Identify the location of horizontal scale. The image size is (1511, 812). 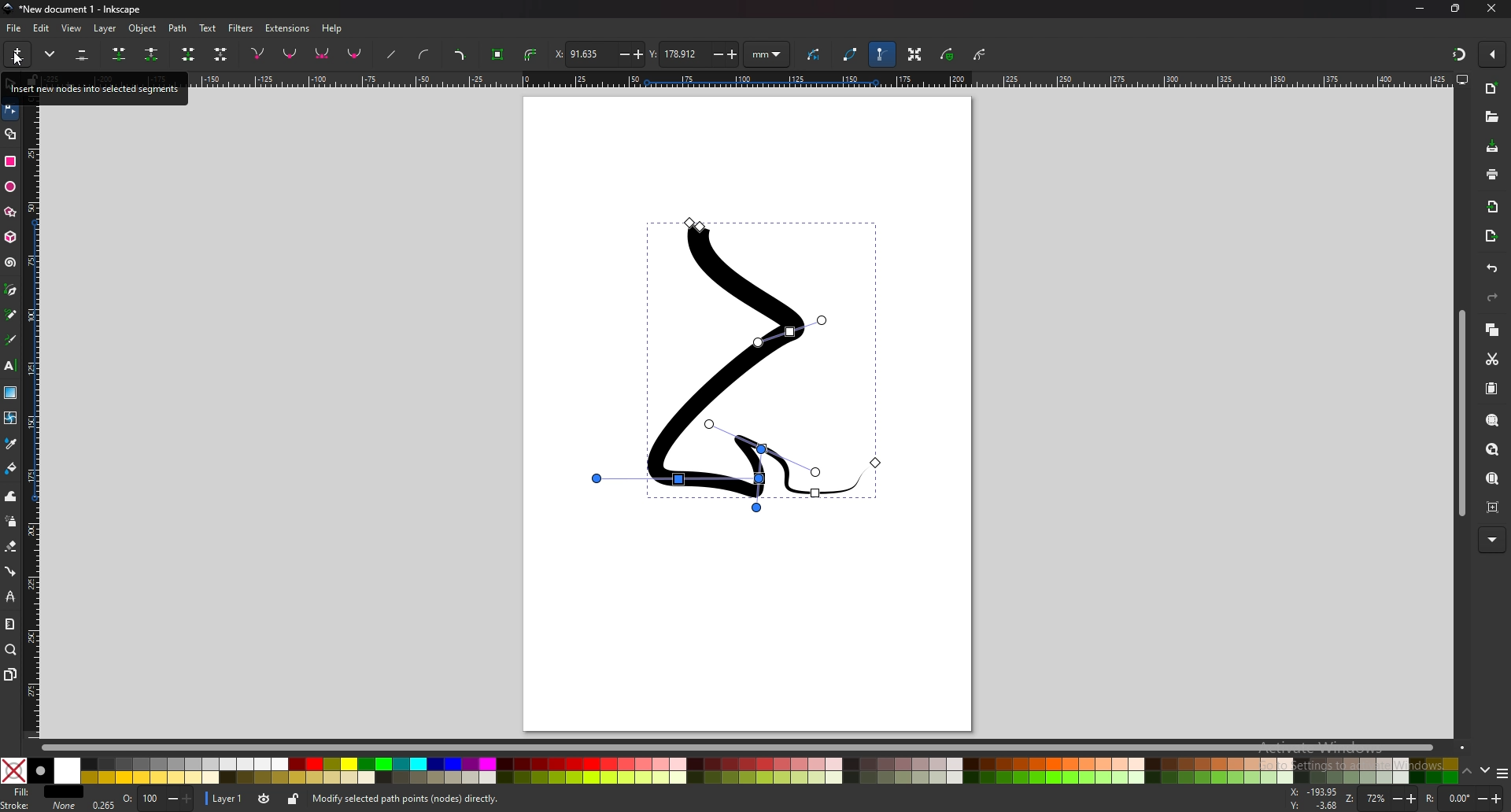
(819, 79).